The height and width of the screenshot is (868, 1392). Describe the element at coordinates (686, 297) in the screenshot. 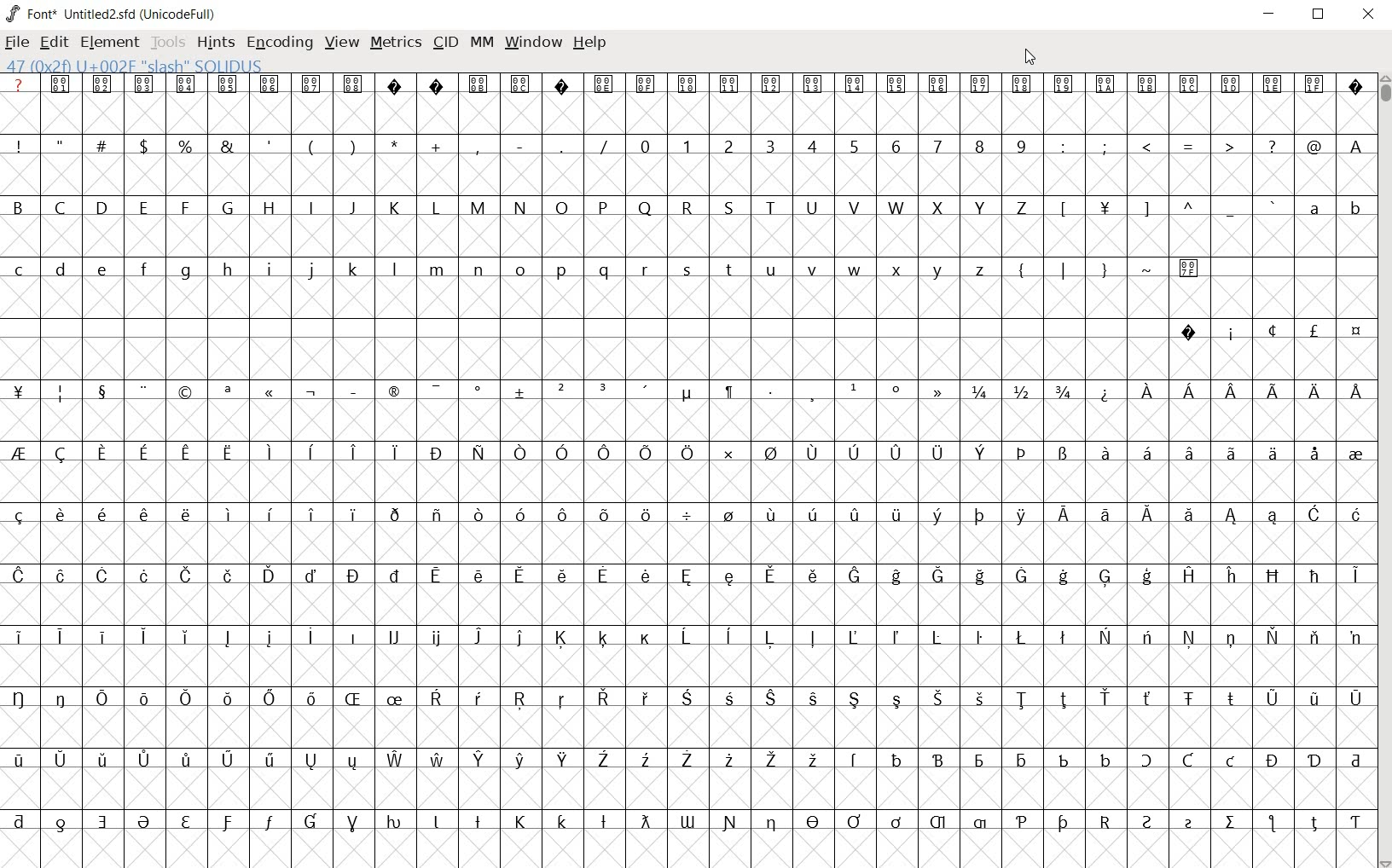

I see `empty cells` at that location.